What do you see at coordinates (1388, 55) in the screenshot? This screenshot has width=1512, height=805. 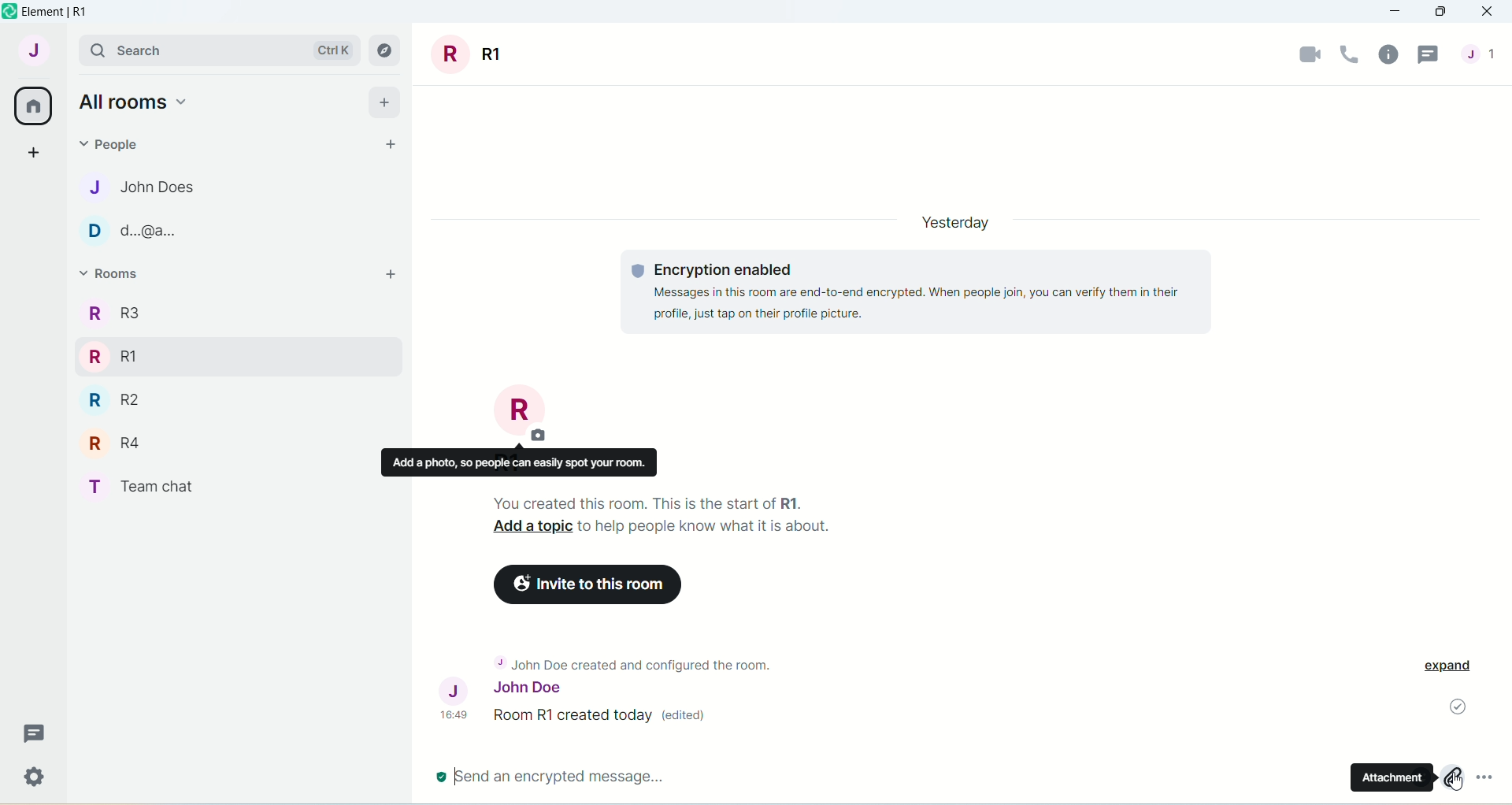 I see `room info` at bounding box center [1388, 55].